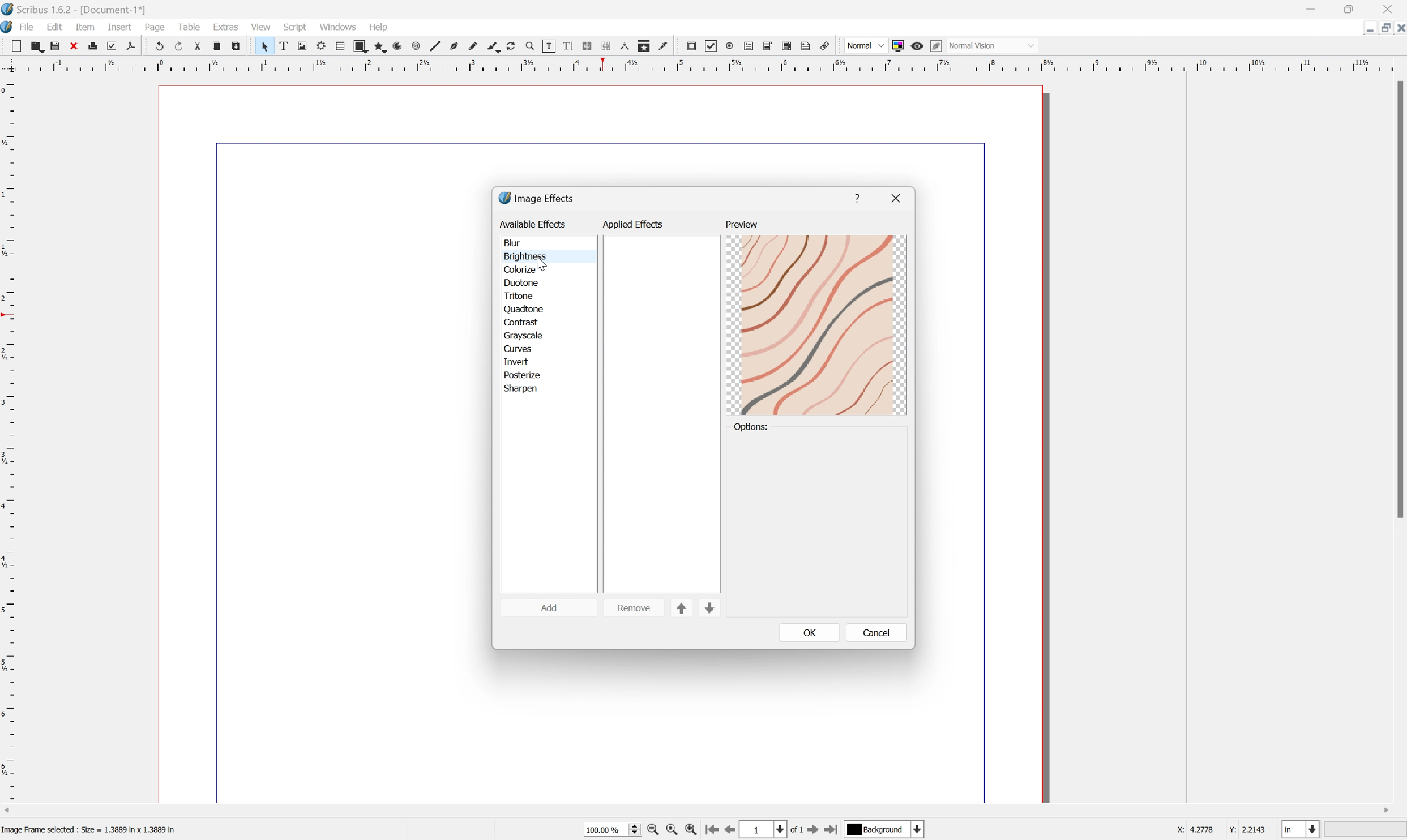 The image size is (1407, 840). What do you see at coordinates (520, 360) in the screenshot?
I see `invert` at bounding box center [520, 360].